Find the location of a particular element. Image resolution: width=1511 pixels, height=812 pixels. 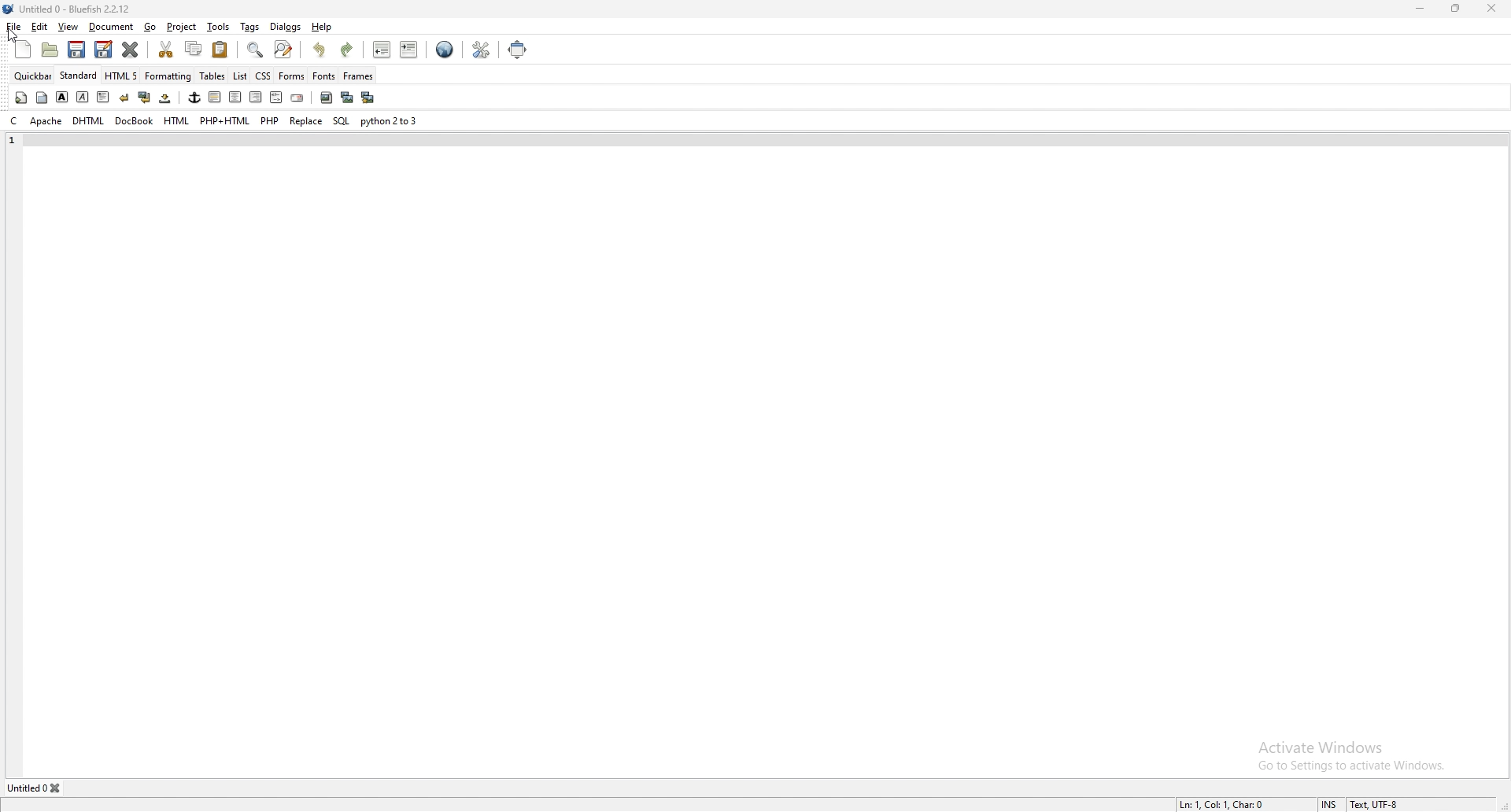

save as is located at coordinates (105, 49).